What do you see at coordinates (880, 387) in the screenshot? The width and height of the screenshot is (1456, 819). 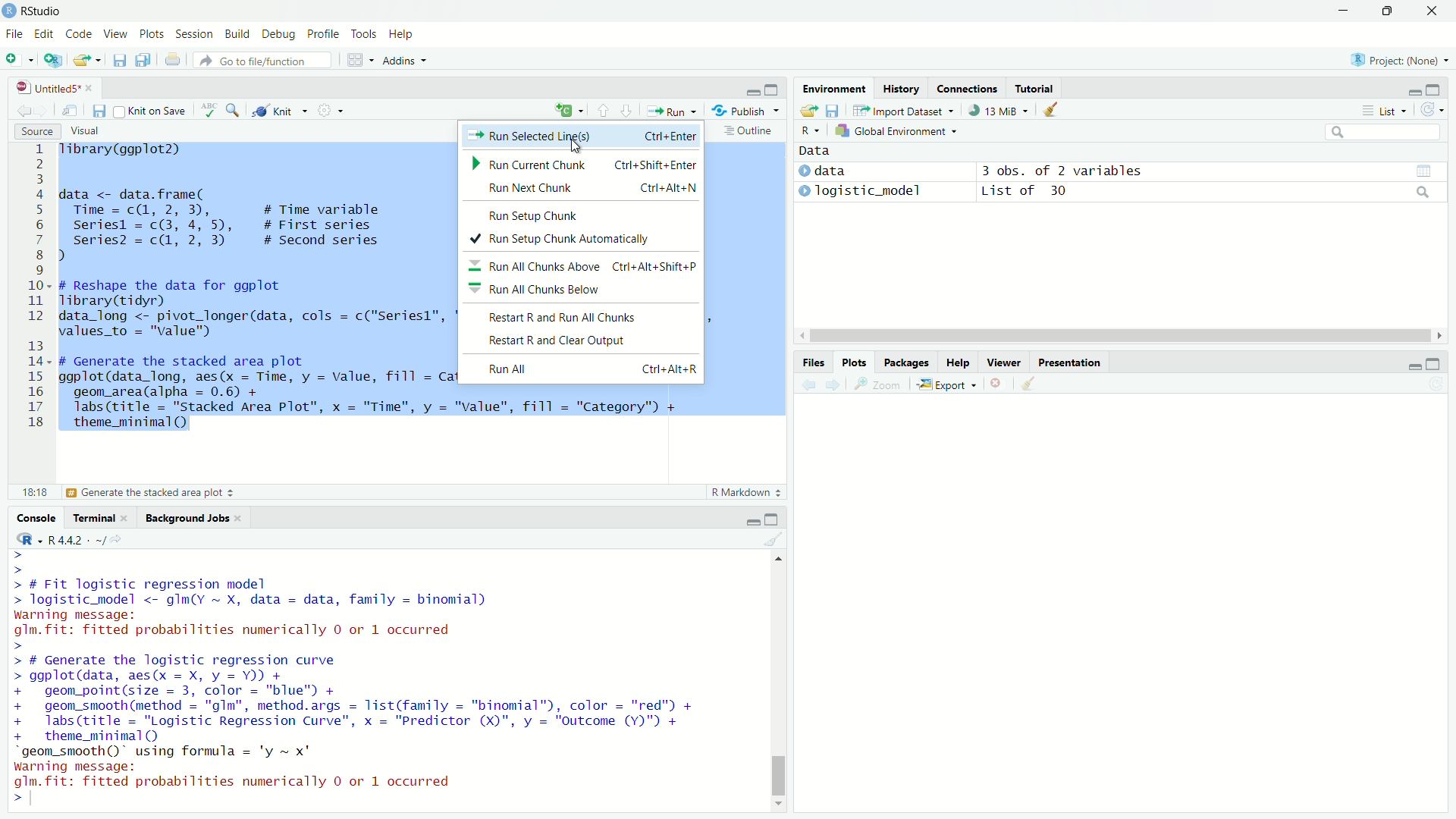 I see `zoom` at bounding box center [880, 387].